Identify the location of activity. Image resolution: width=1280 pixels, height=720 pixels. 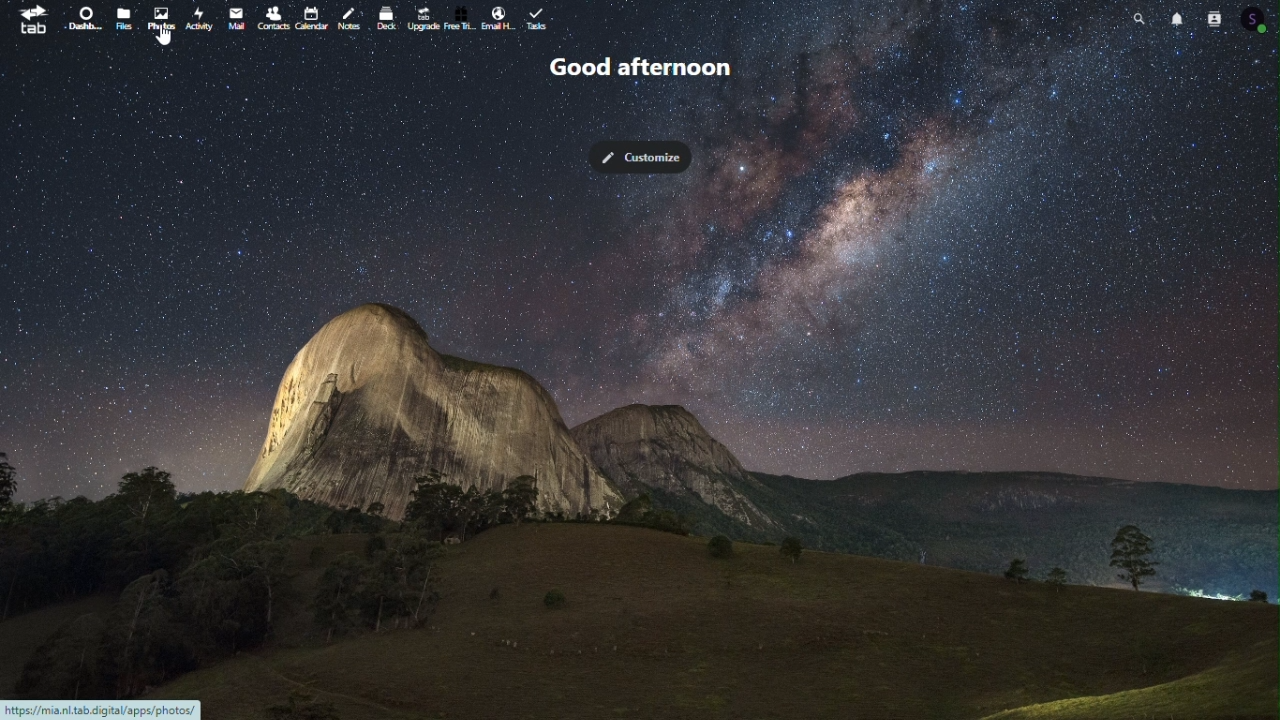
(197, 17).